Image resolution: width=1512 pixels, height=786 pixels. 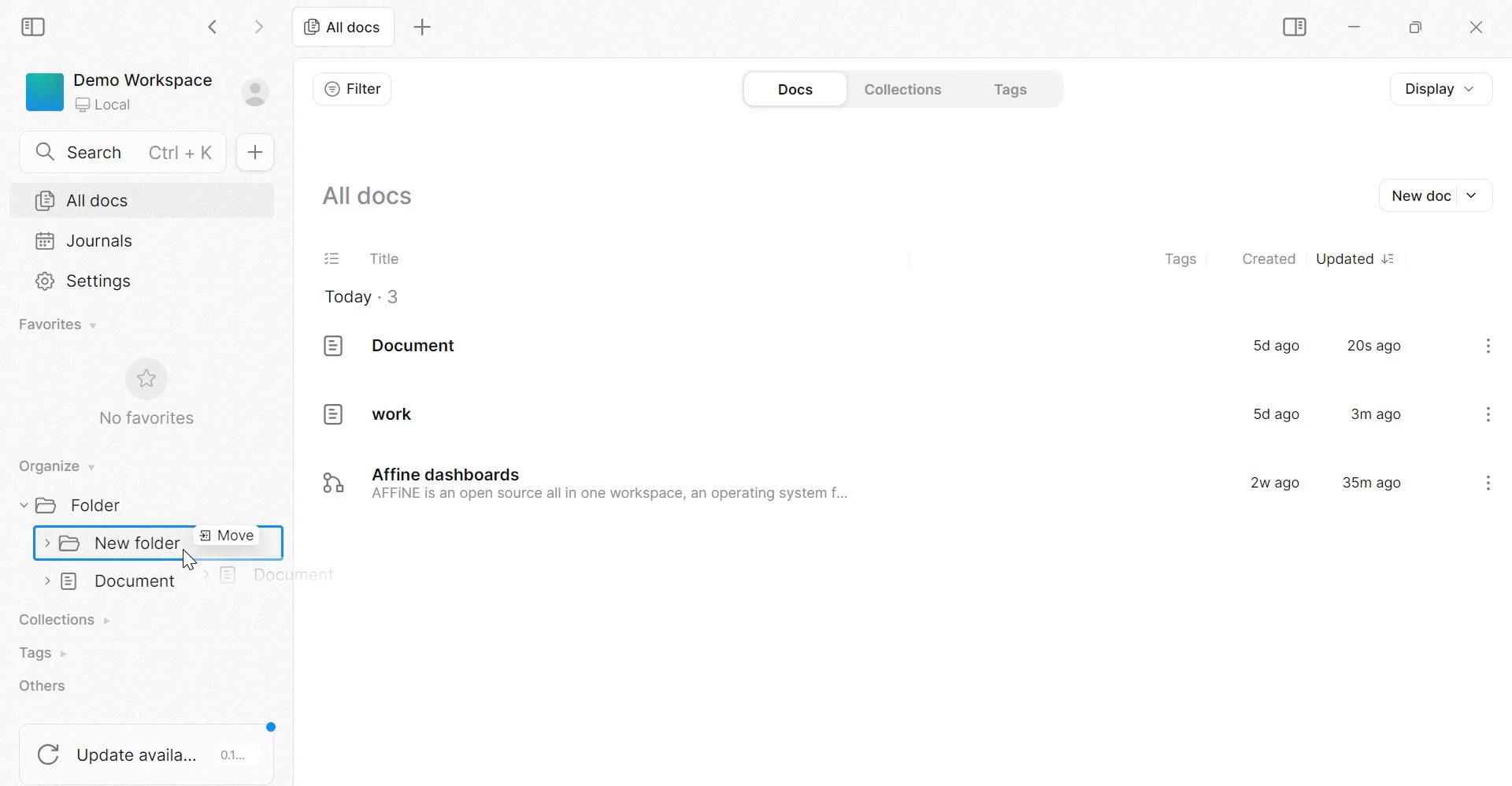 I want to click on created, so click(x=1269, y=259).